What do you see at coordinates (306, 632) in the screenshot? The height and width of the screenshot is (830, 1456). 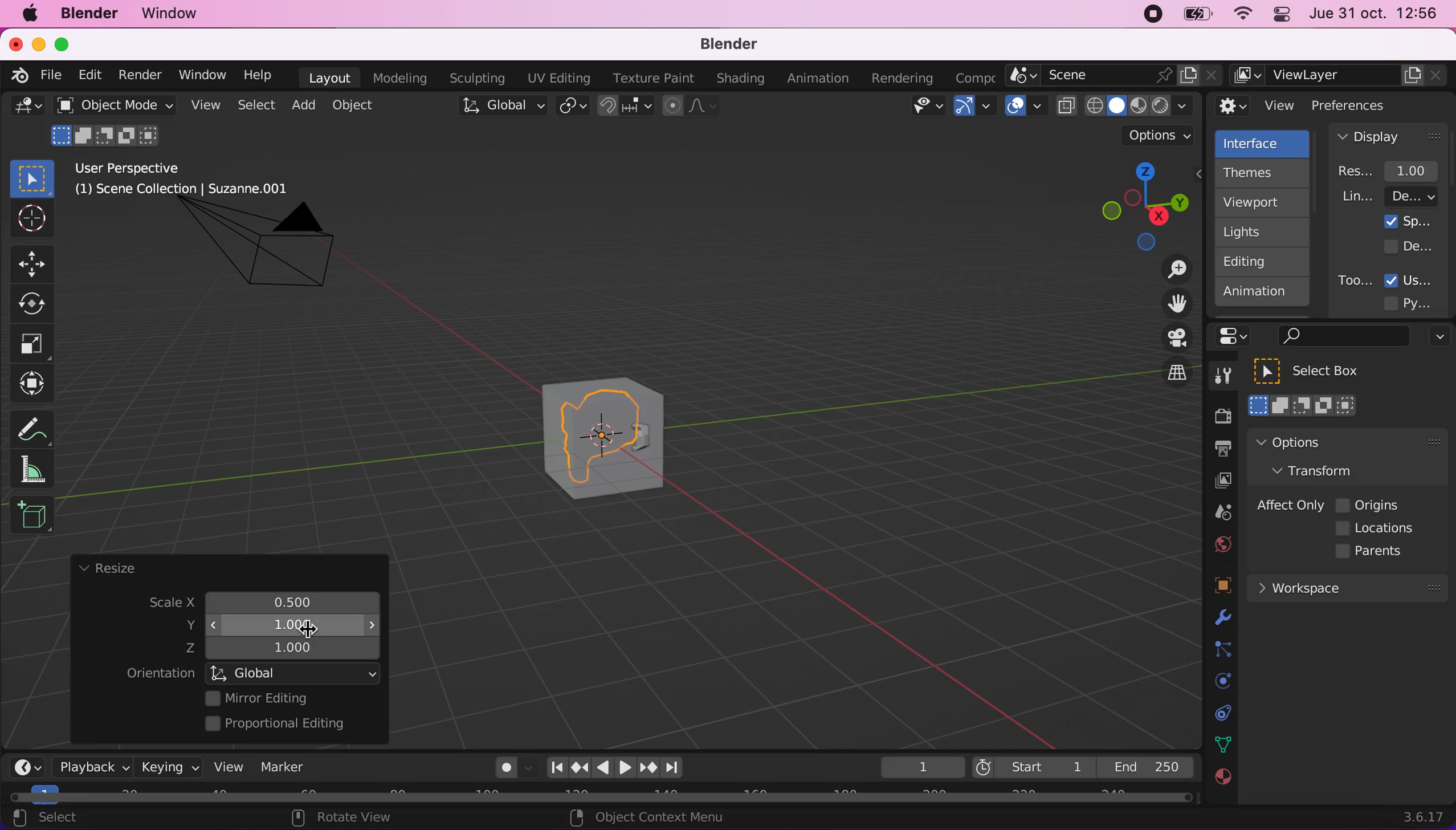 I see `cursor` at bounding box center [306, 632].